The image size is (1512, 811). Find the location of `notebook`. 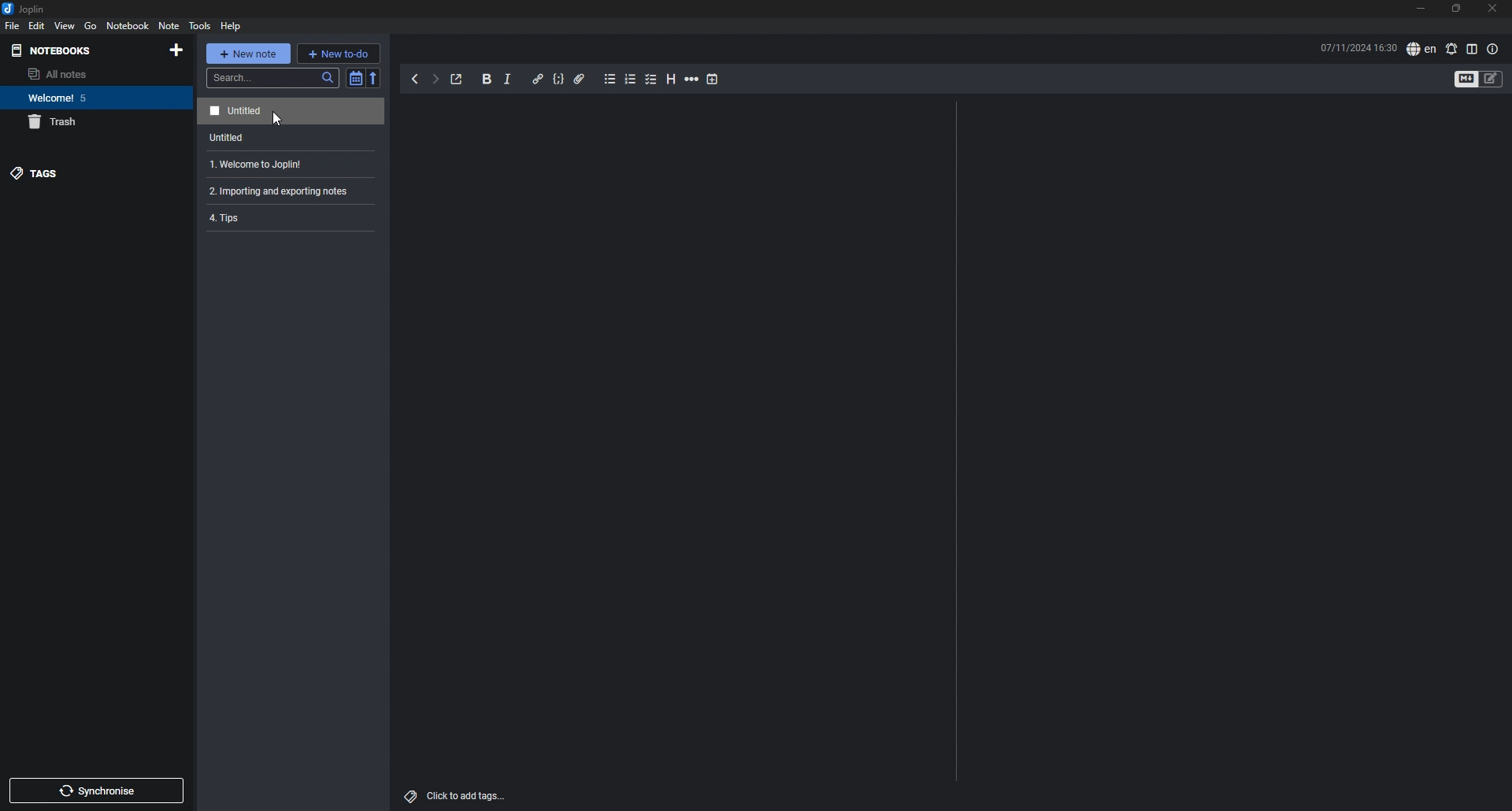

notebook is located at coordinates (80, 98).